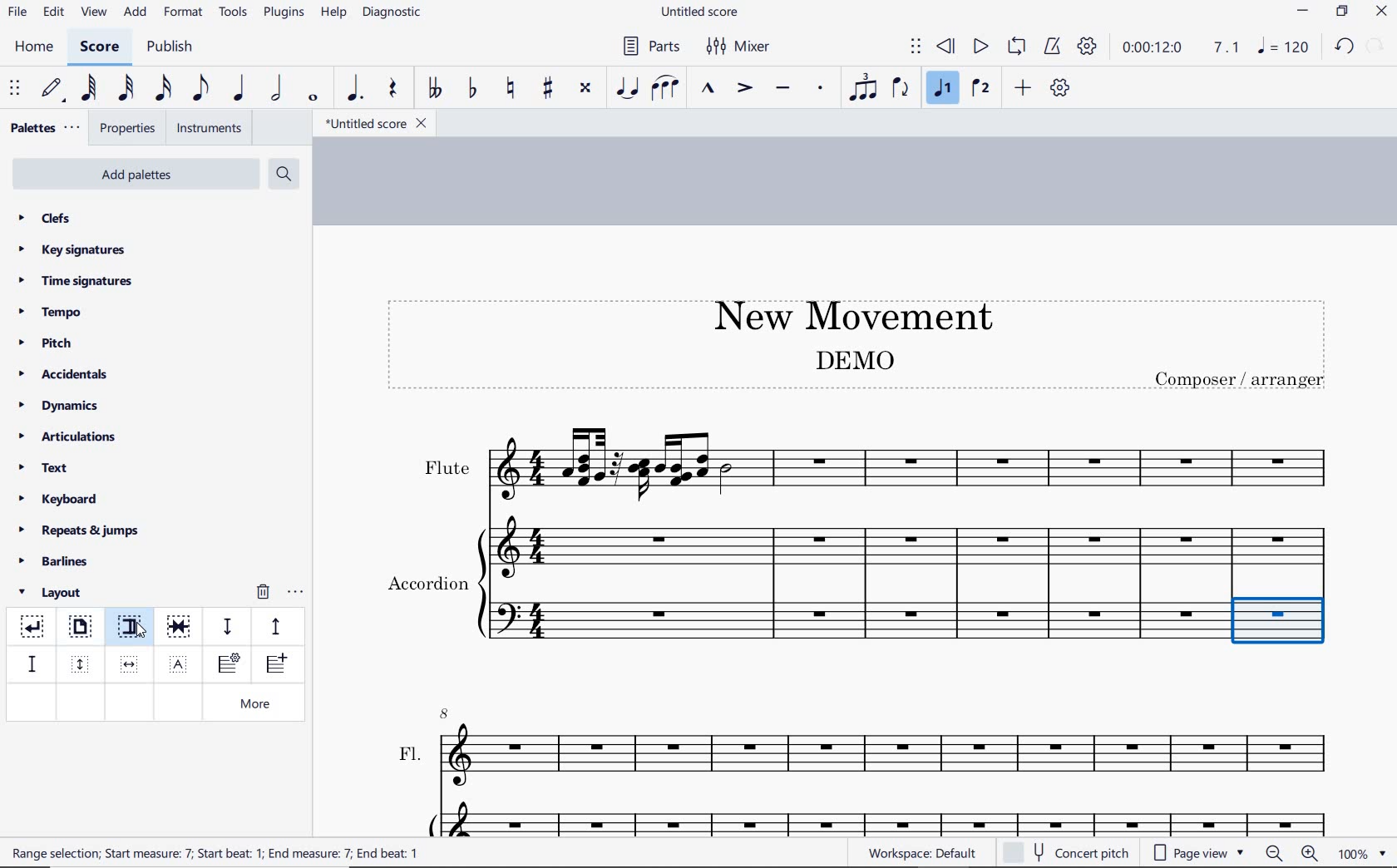  Describe the element at coordinates (666, 89) in the screenshot. I see `slur` at that location.